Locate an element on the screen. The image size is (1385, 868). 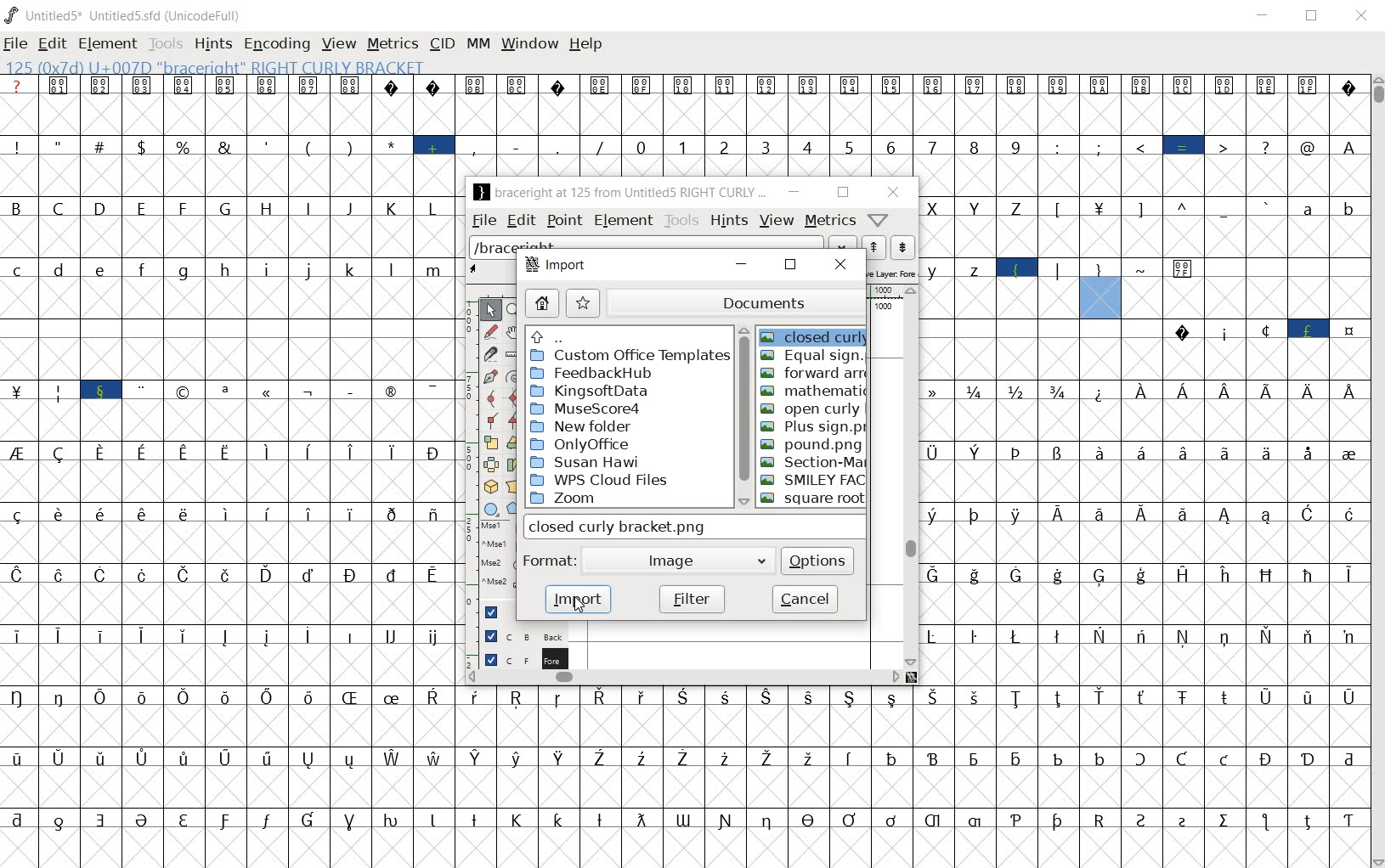
cut splines in two is located at coordinates (489, 353).